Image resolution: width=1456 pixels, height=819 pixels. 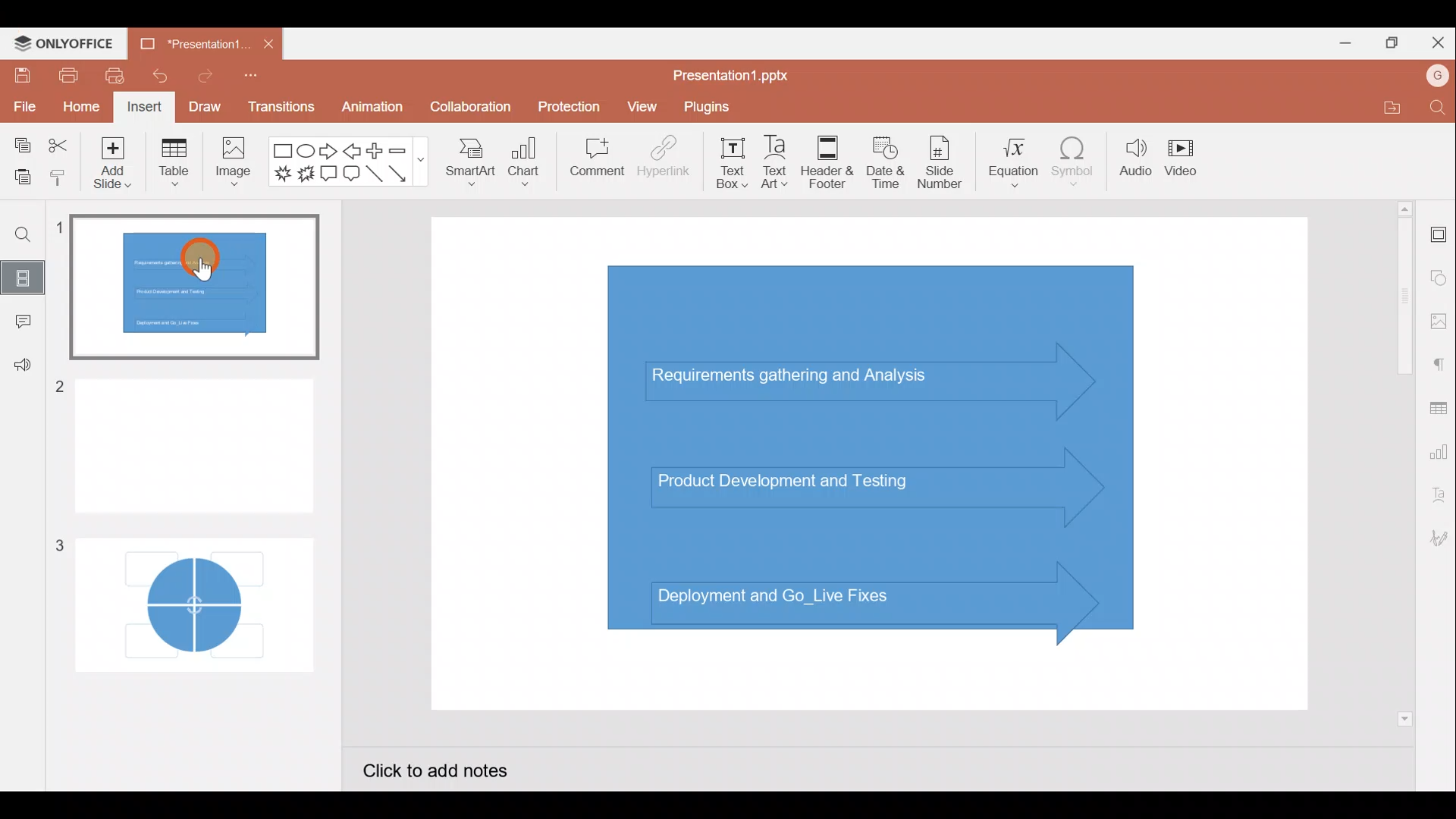 What do you see at coordinates (1341, 45) in the screenshot?
I see `Minimize` at bounding box center [1341, 45].